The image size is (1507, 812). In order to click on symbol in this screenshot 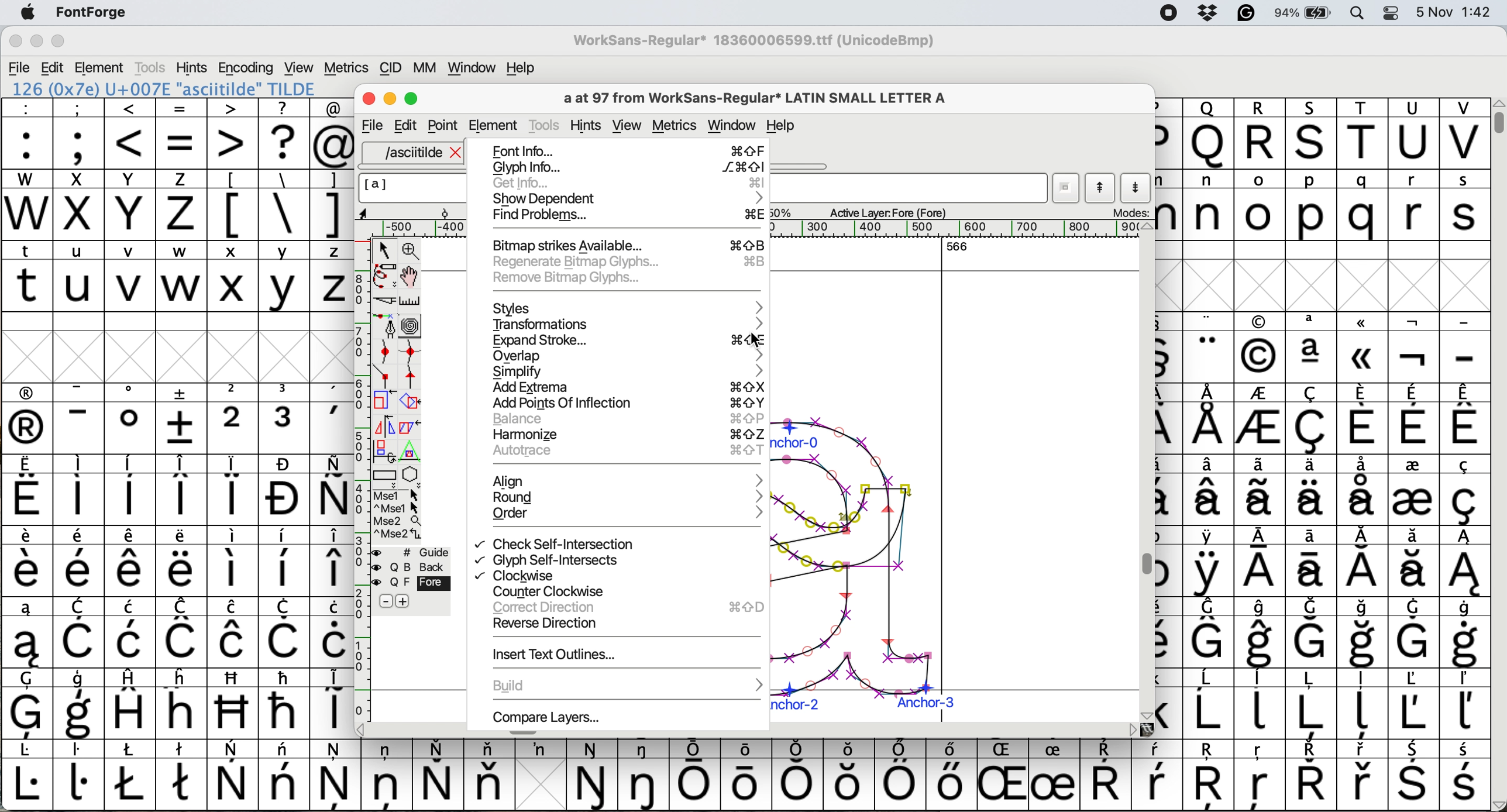, I will do `click(285, 775)`.